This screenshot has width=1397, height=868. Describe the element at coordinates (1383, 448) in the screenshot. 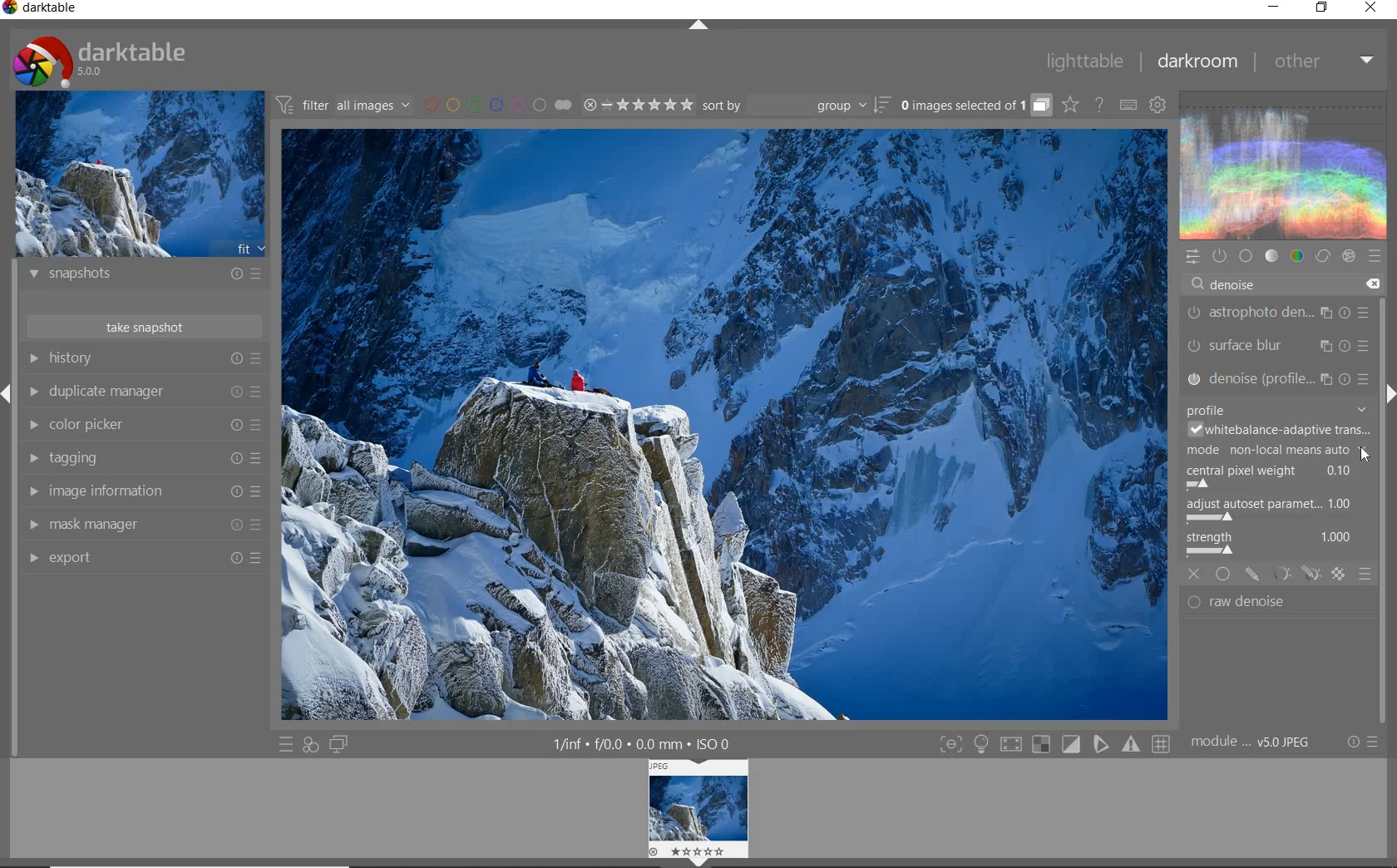

I see `scrollbar` at that location.